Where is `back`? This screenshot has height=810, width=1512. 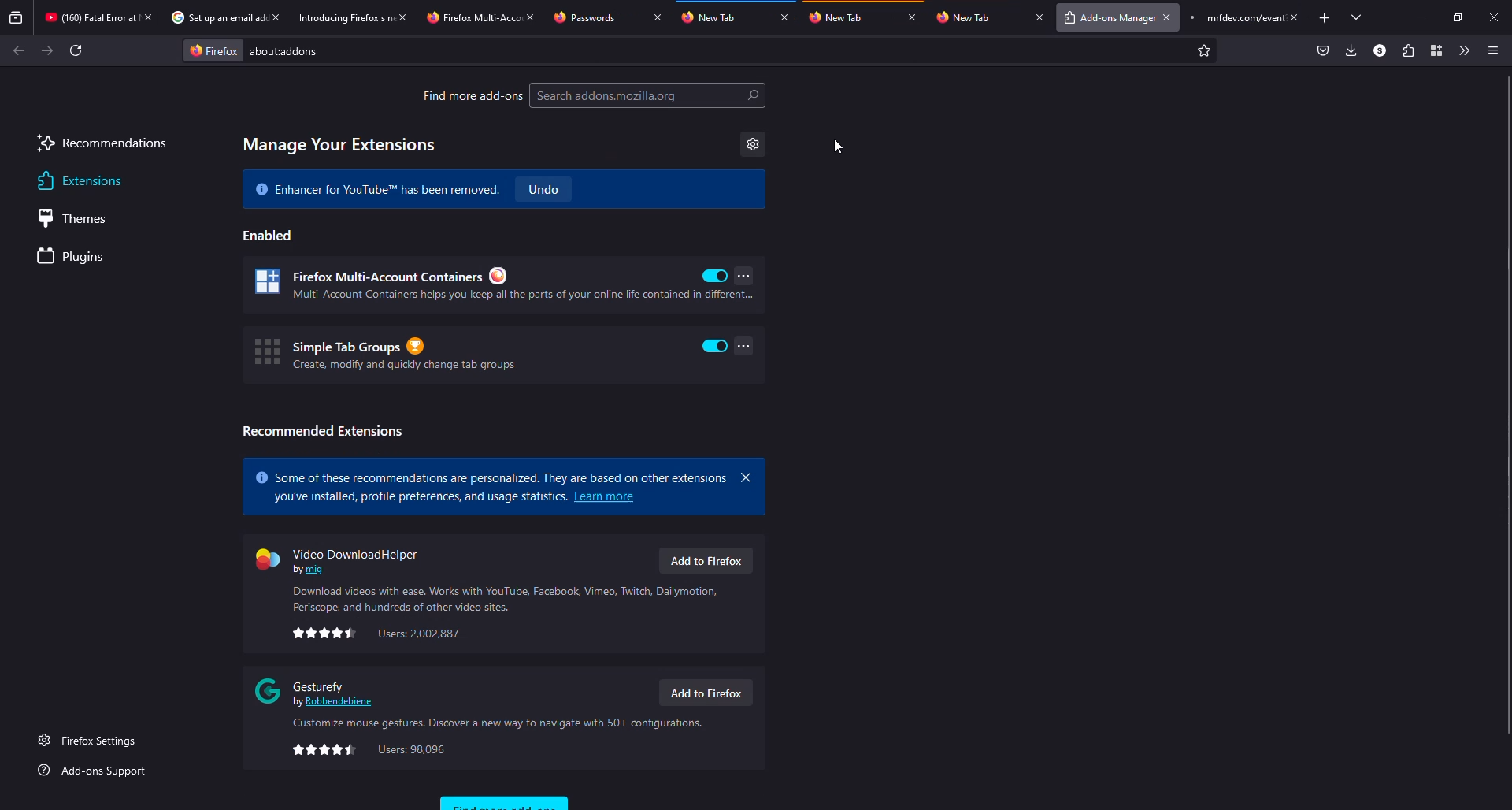 back is located at coordinates (19, 50).